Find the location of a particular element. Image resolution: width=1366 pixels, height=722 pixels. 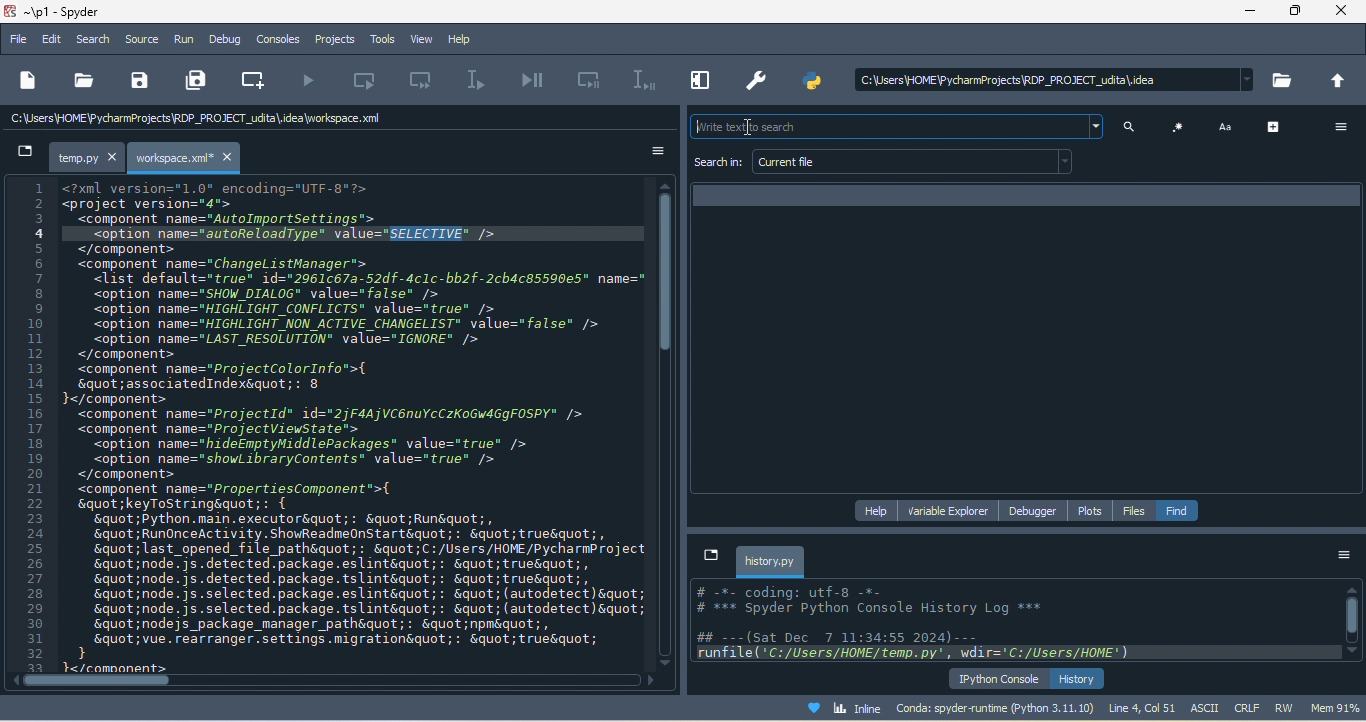

c\users\home\pycharm project is located at coordinates (222, 121).